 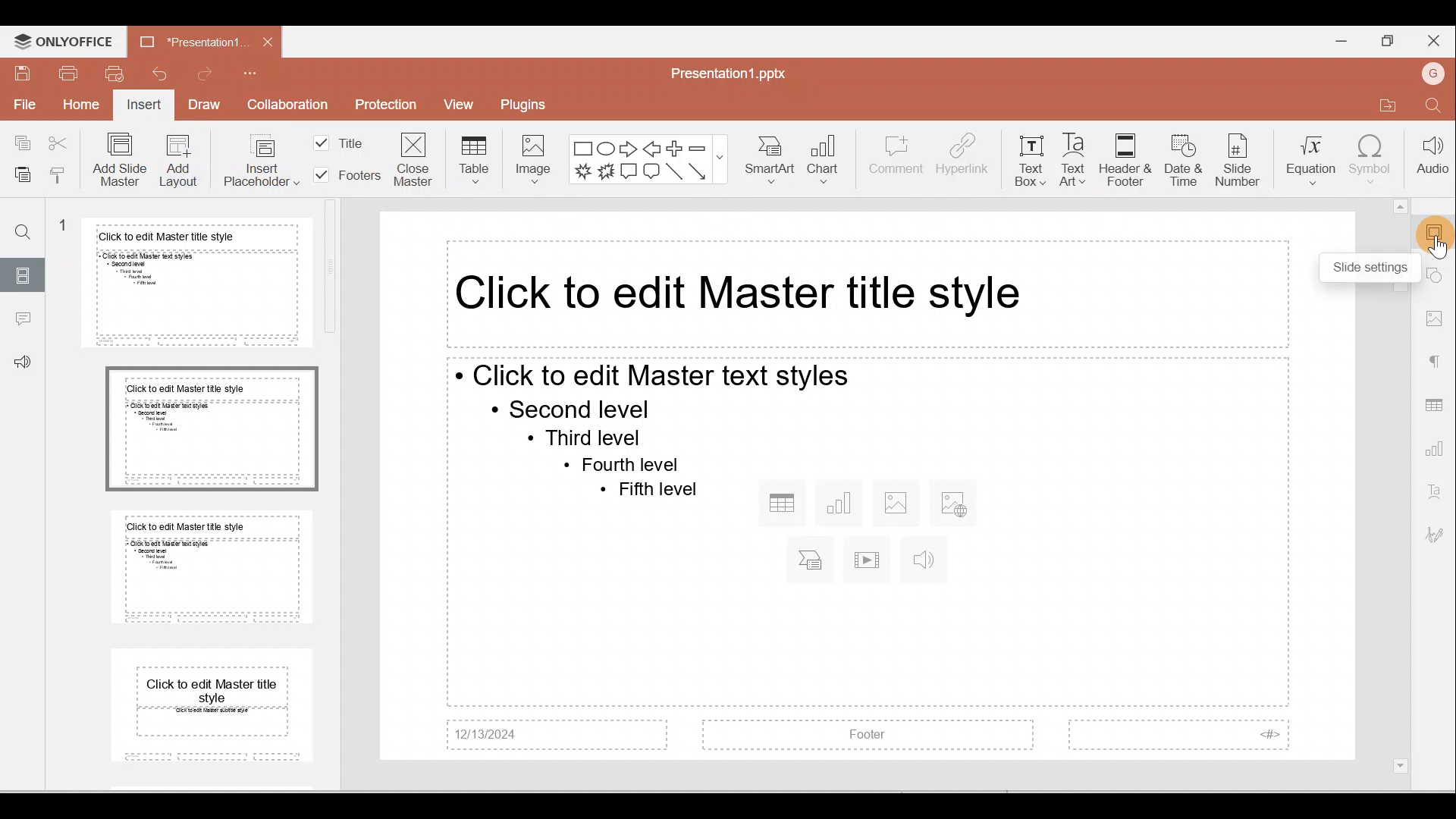 I want to click on Insert placeholder, so click(x=246, y=160).